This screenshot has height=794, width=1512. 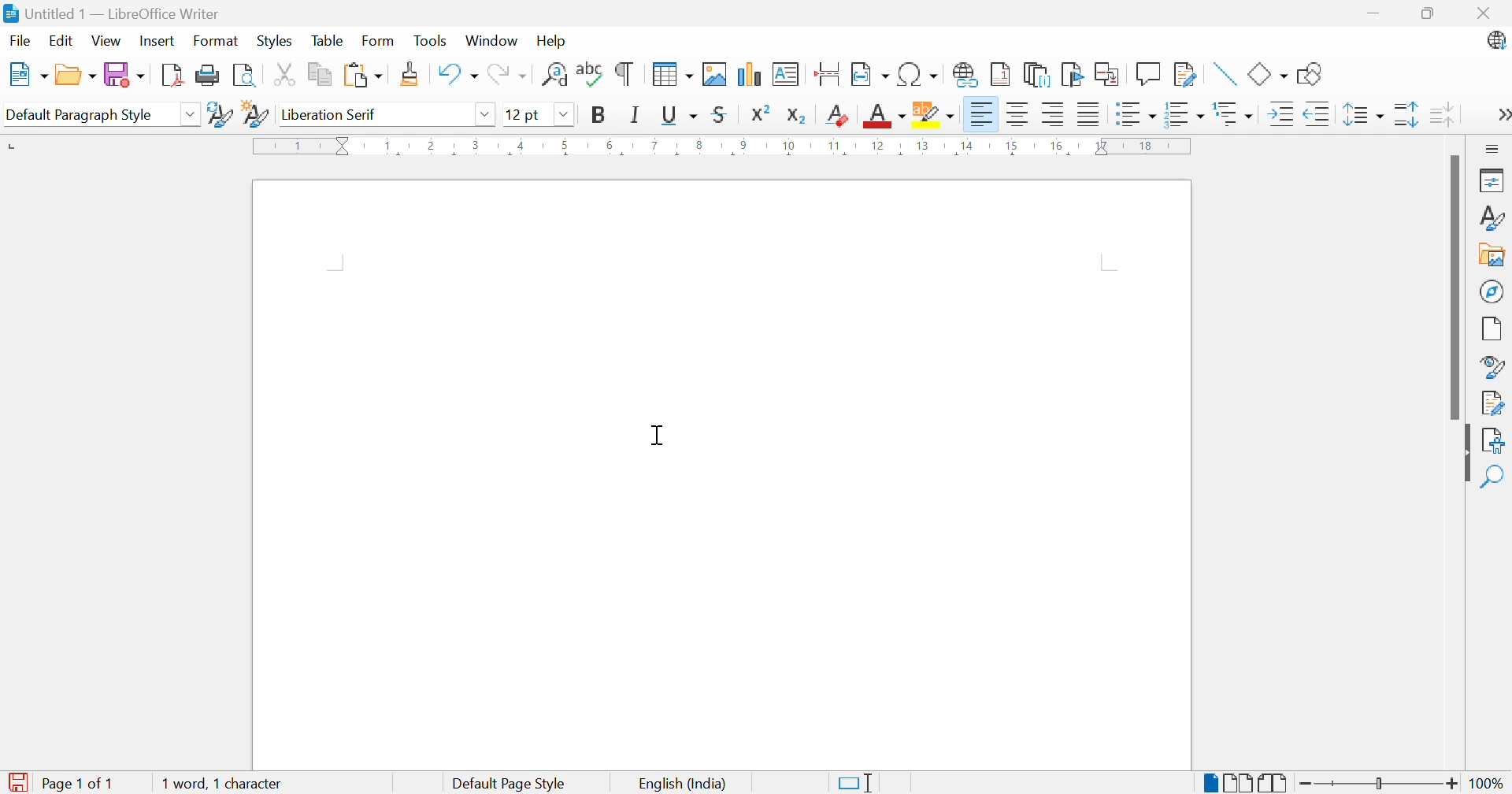 What do you see at coordinates (1492, 219) in the screenshot?
I see `Styles` at bounding box center [1492, 219].